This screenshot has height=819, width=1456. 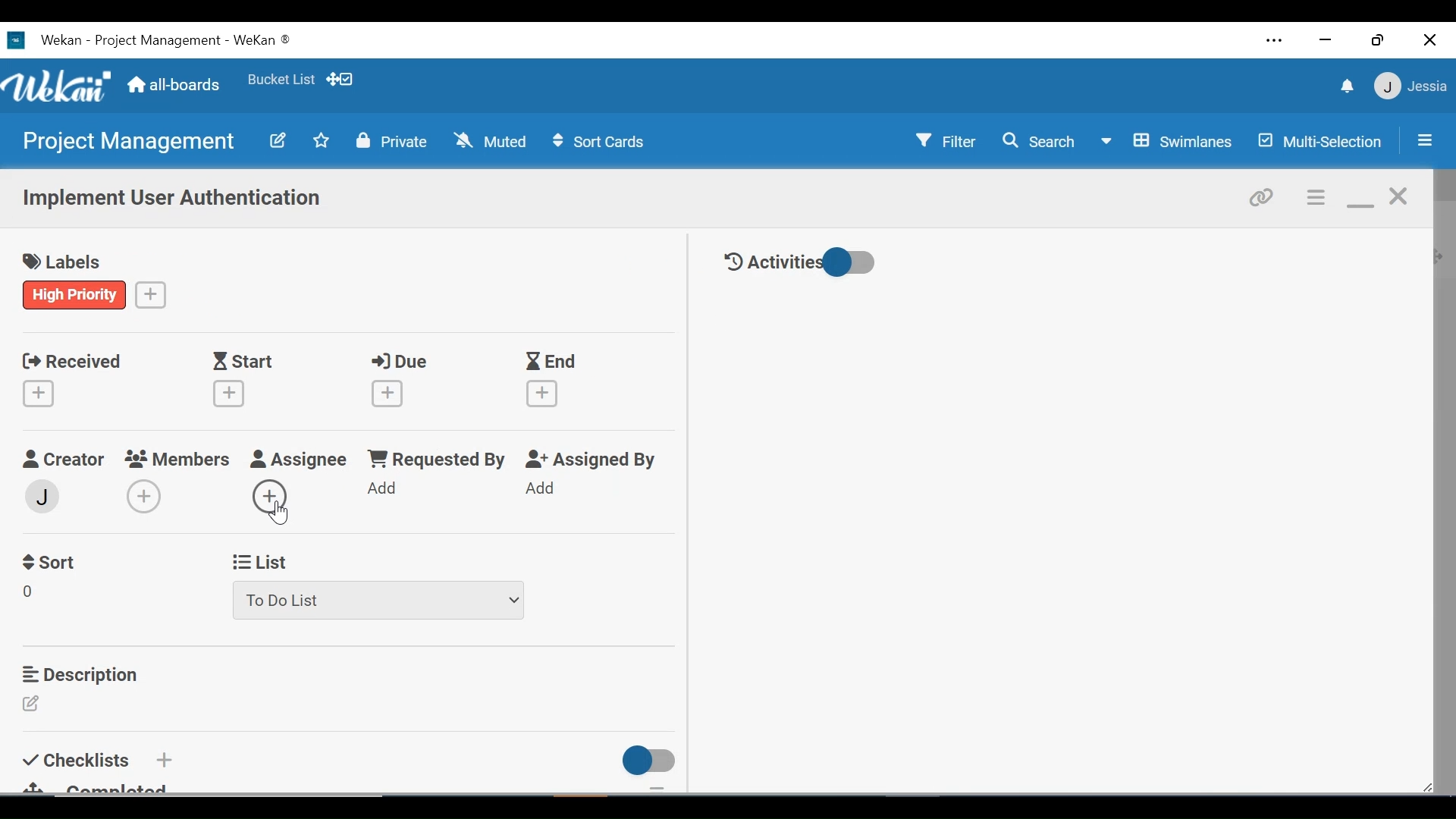 What do you see at coordinates (545, 394) in the screenshot?
I see `createEnd Date` at bounding box center [545, 394].